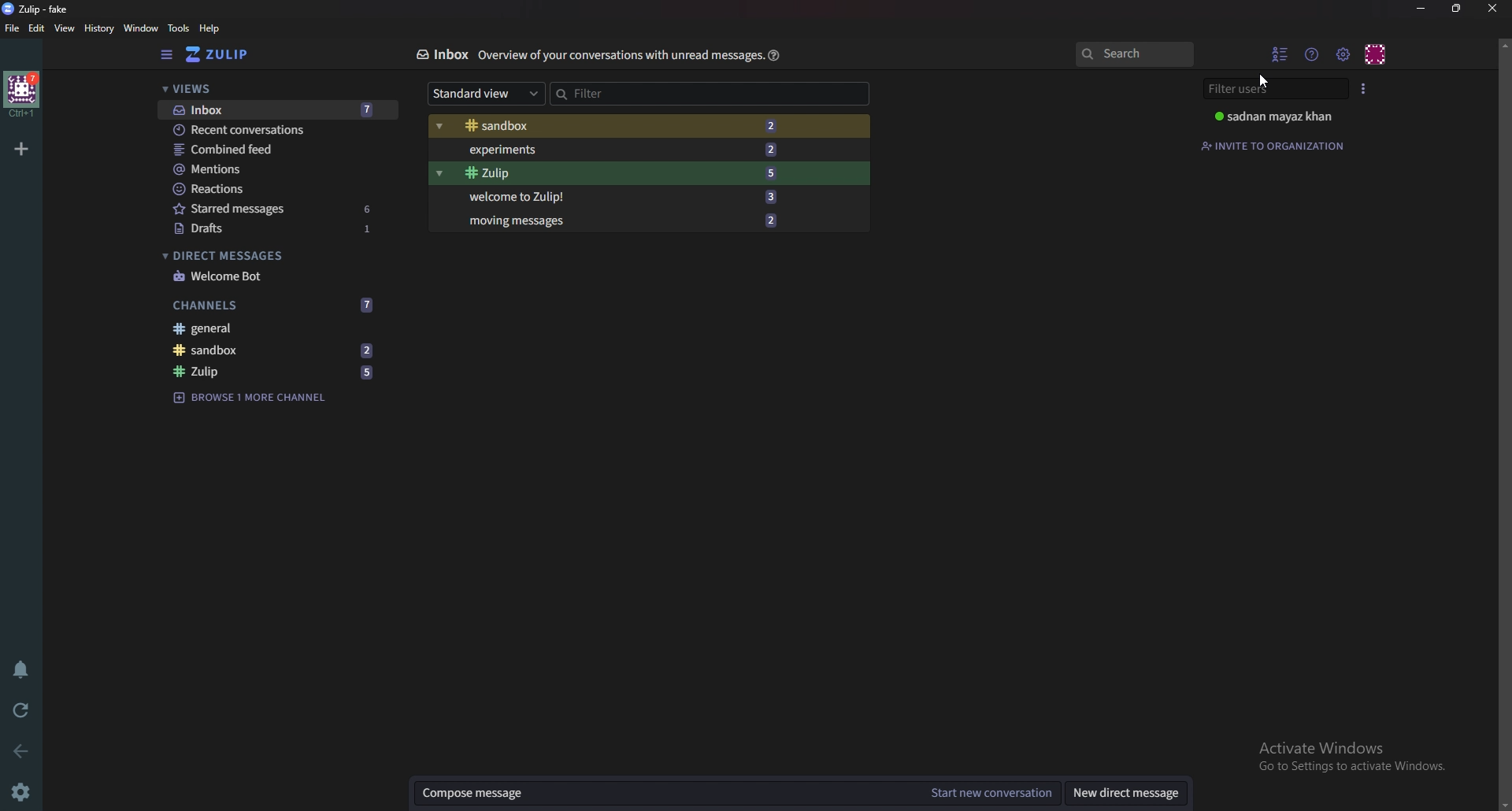  I want to click on Inbox, so click(273, 109).